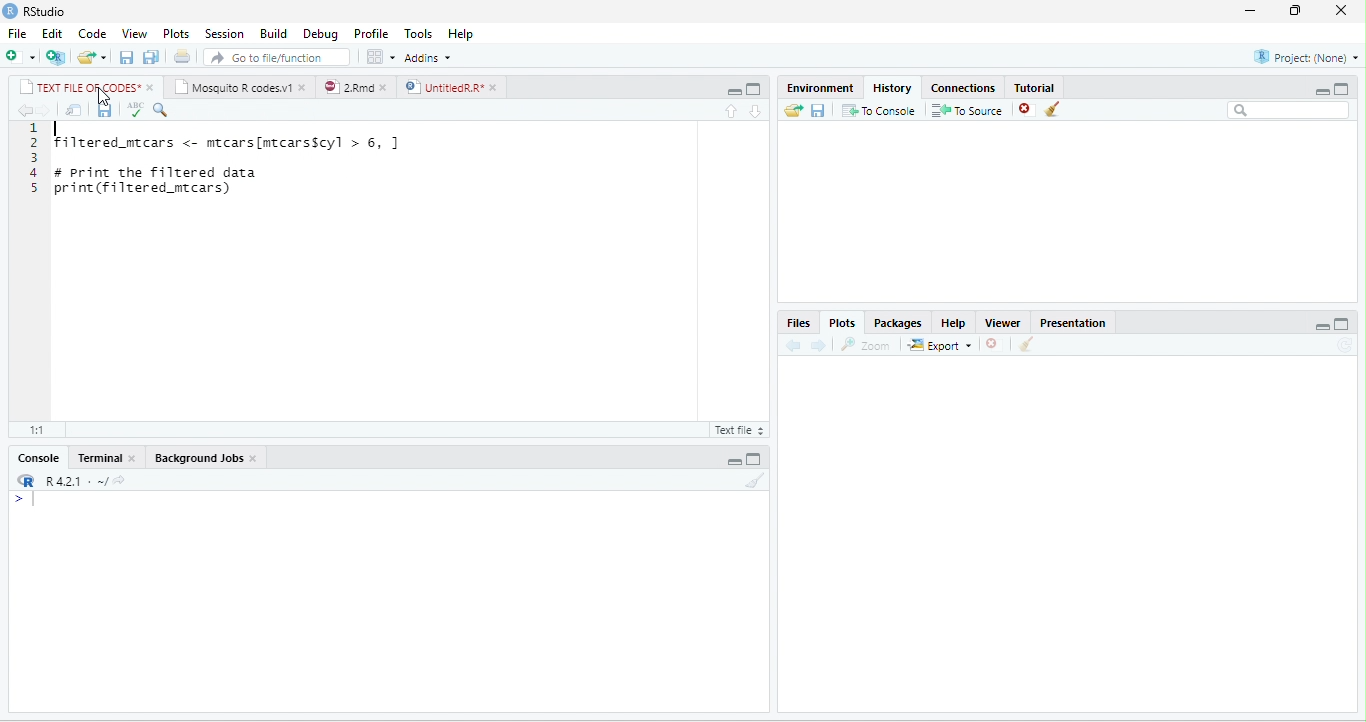  What do you see at coordinates (55, 57) in the screenshot?
I see `new project` at bounding box center [55, 57].